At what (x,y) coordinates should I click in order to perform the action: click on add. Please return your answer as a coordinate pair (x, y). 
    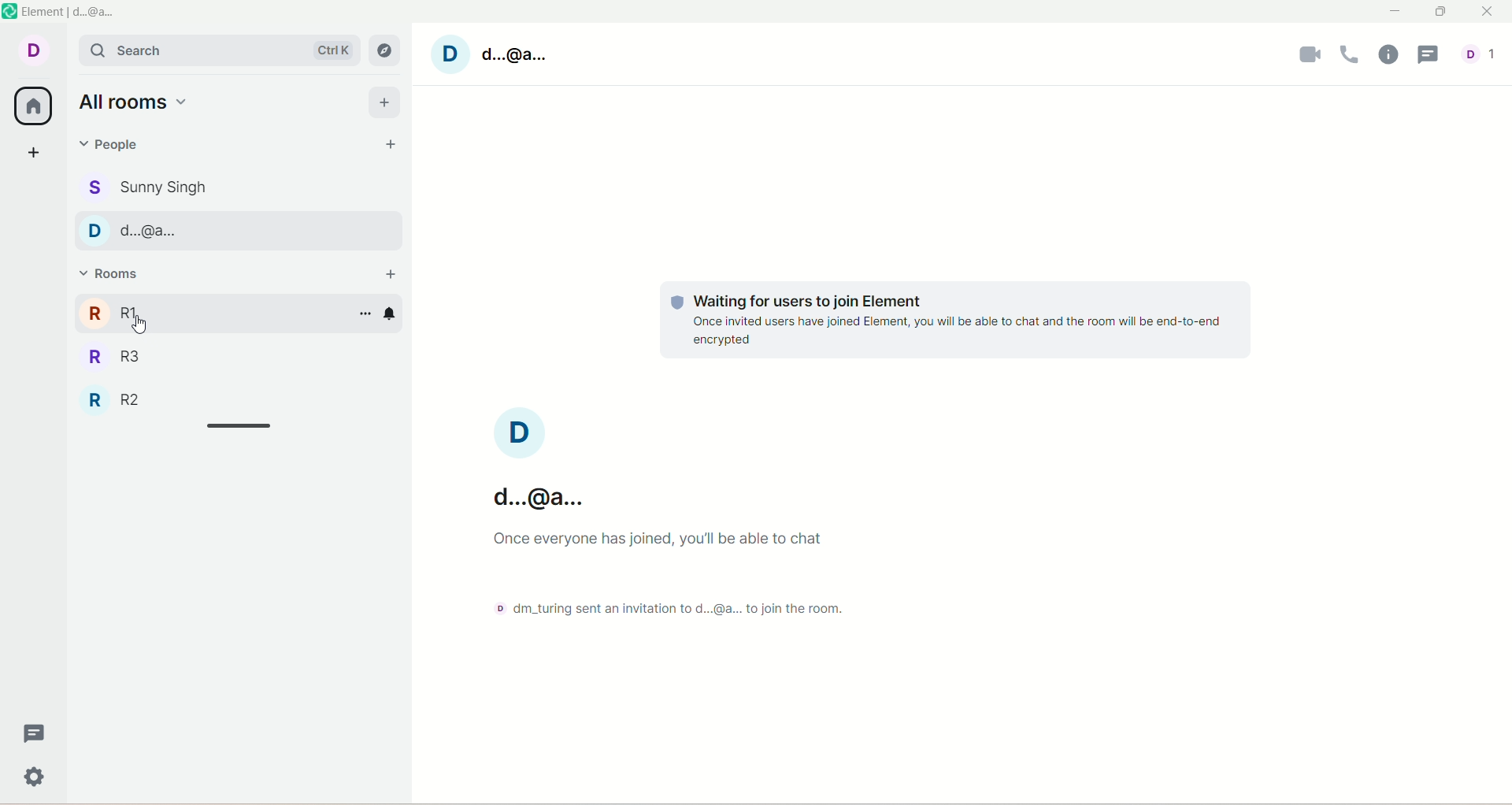
    Looking at the image, I should click on (395, 273).